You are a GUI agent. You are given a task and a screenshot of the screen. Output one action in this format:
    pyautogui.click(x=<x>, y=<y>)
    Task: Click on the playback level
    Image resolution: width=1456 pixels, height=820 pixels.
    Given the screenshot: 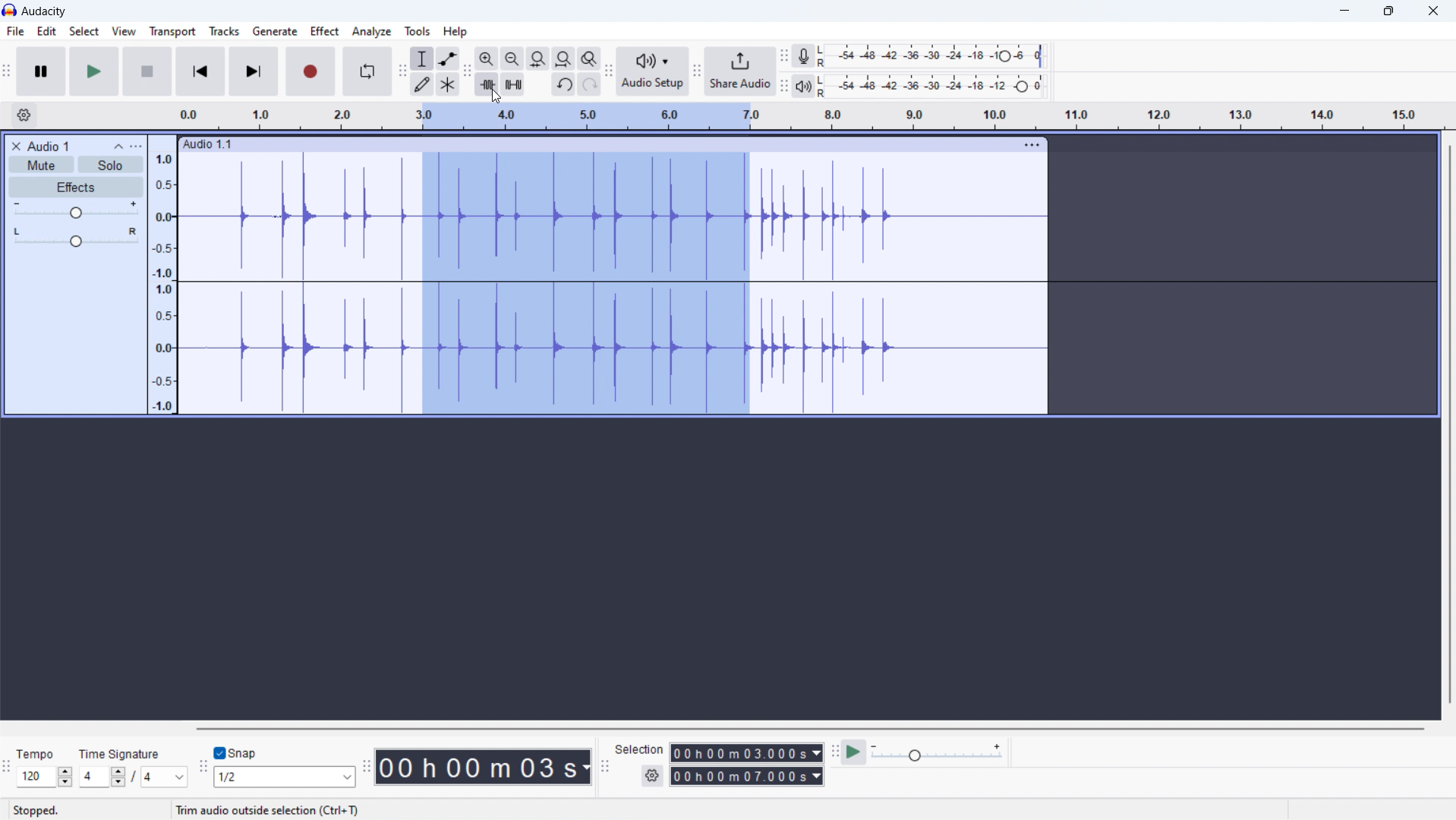 What is the action you would take?
    pyautogui.click(x=938, y=86)
    